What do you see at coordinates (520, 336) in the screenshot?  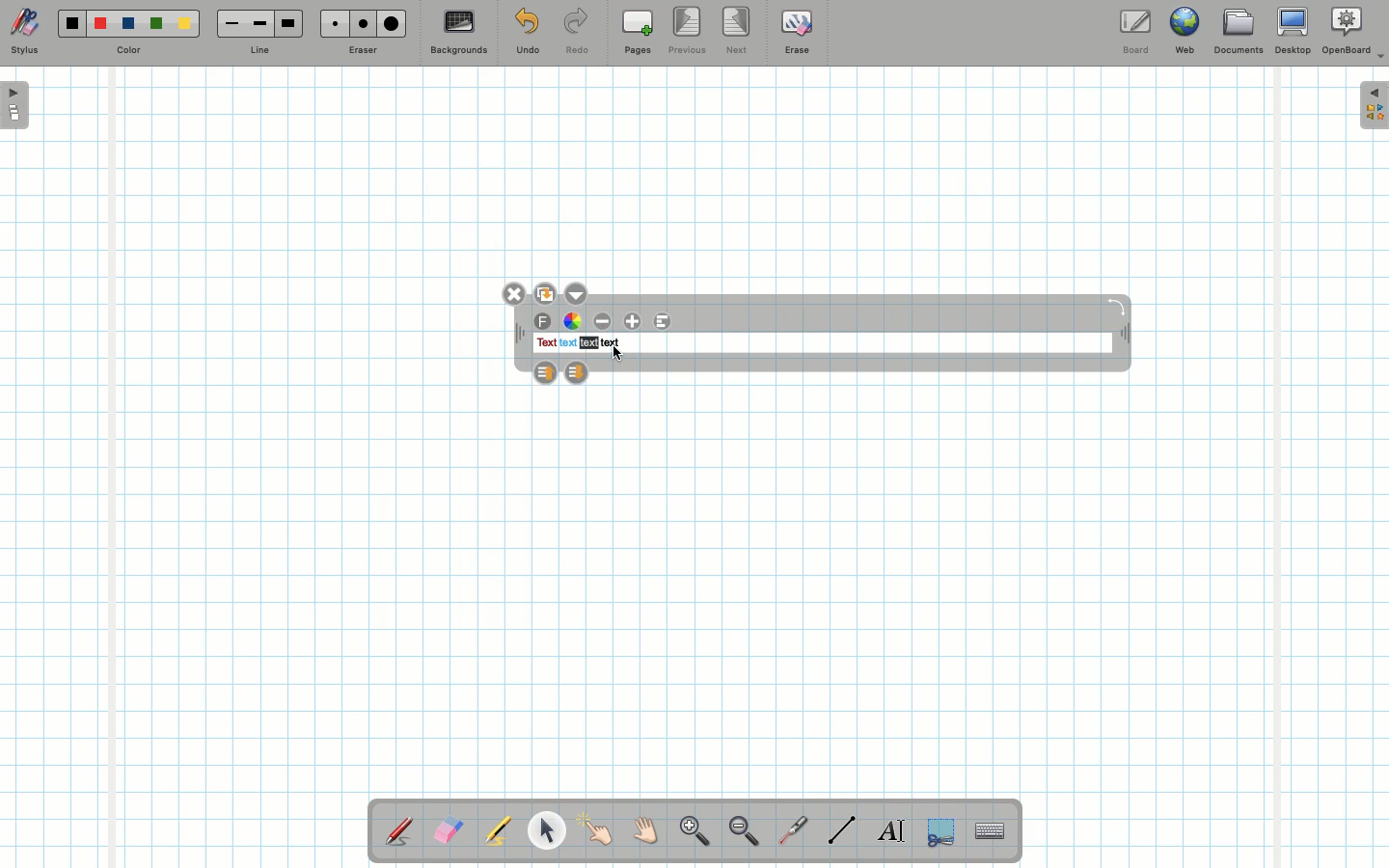 I see `Move` at bounding box center [520, 336].